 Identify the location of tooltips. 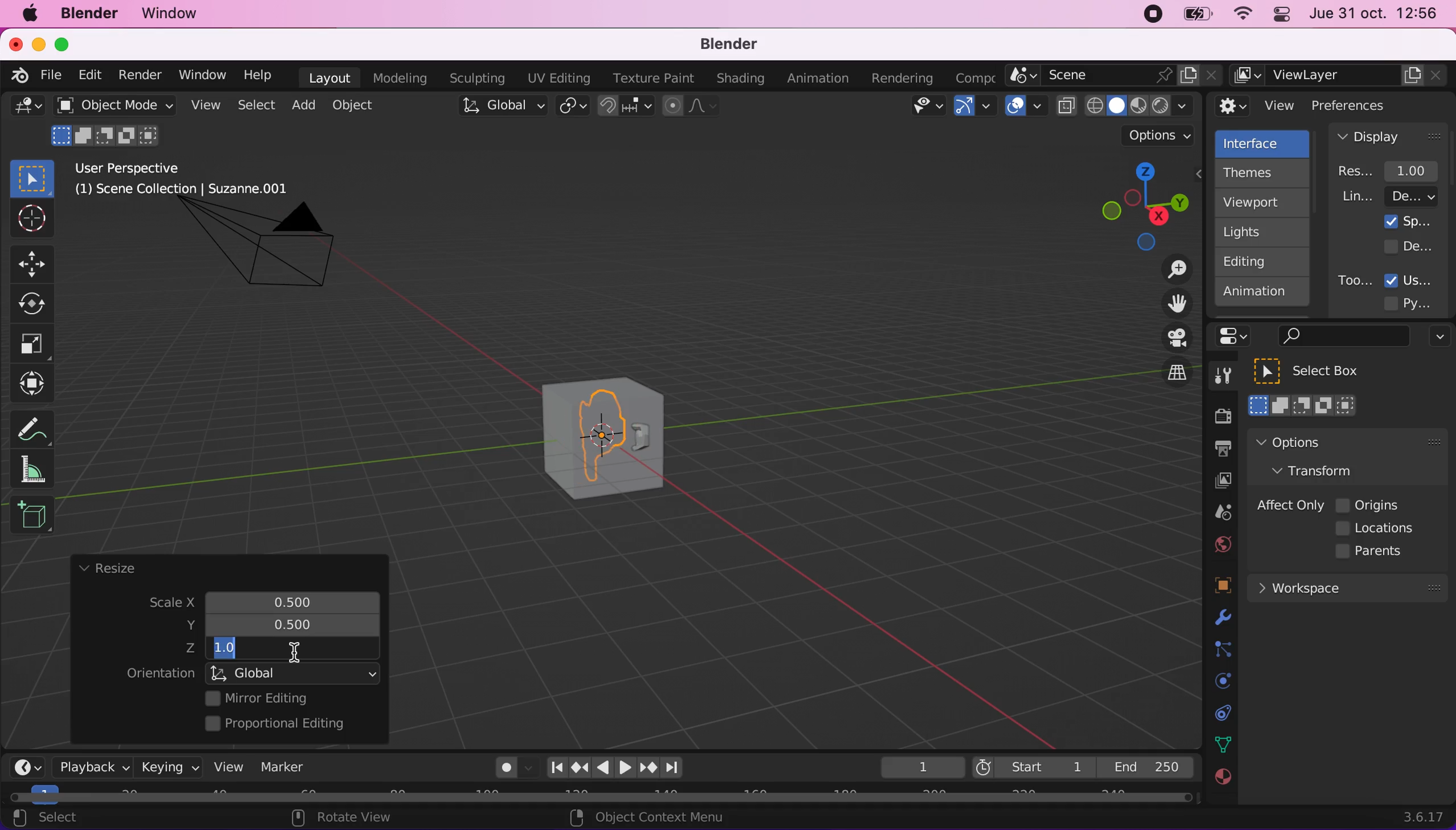
(1354, 280).